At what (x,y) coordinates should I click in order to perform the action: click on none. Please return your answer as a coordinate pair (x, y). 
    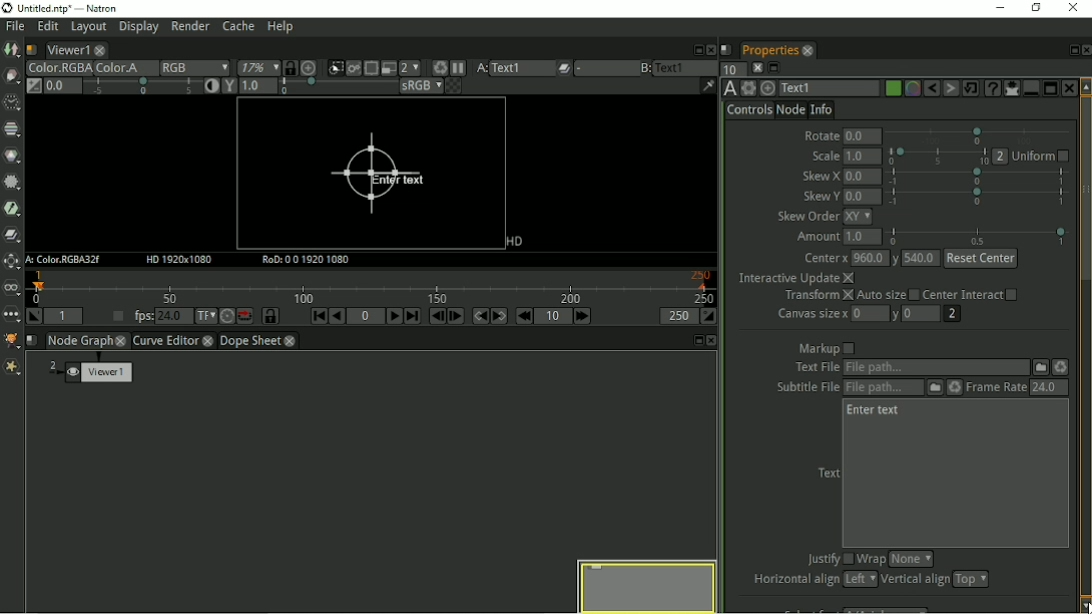
    Looking at the image, I should click on (915, 558).